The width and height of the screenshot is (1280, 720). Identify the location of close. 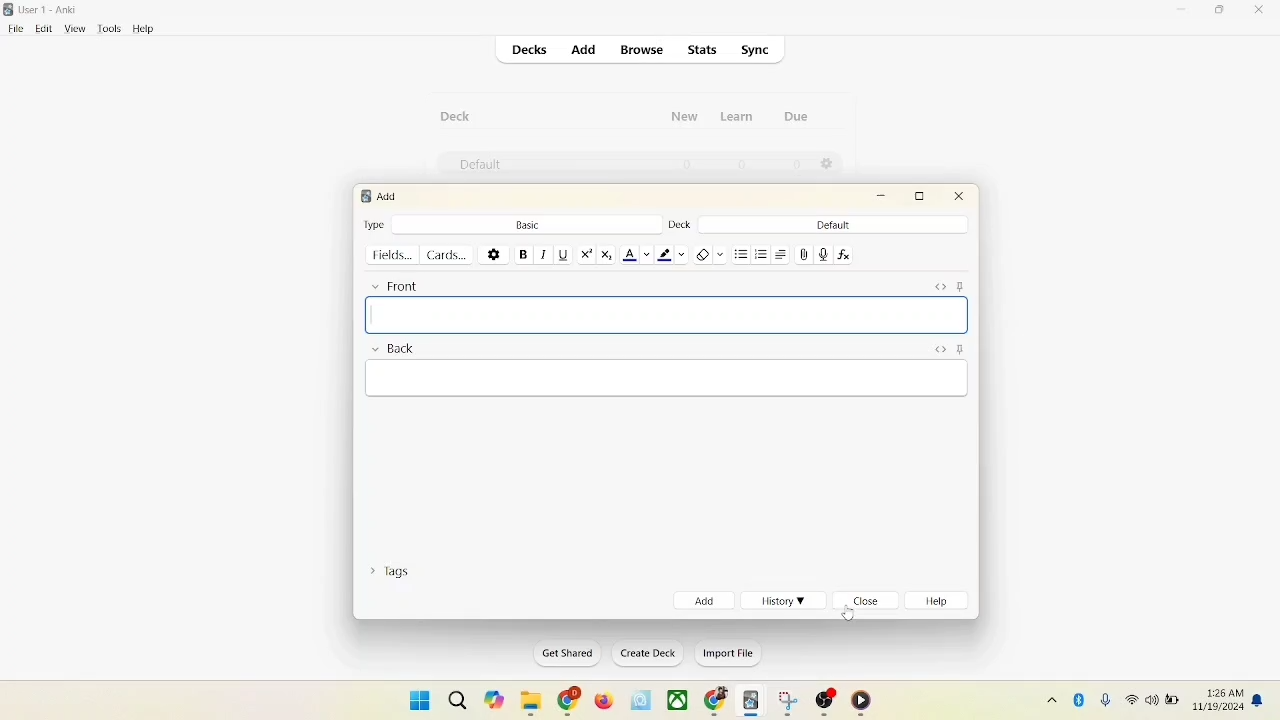
(868, 602).